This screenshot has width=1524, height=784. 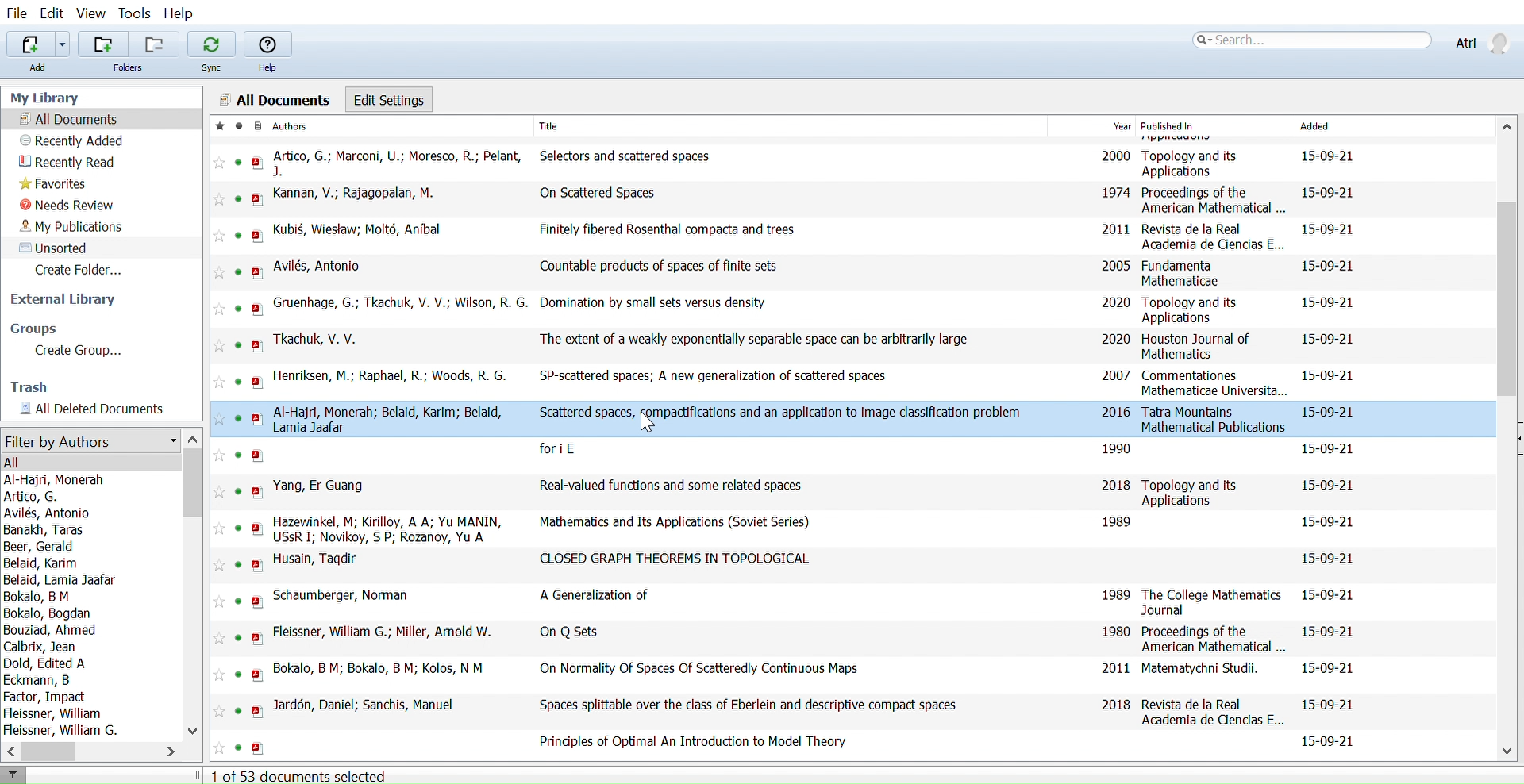 What do you see at coordinates (1328, 556) in the screenshot?
I see `15-09-21` at bounding box center [1328, 556].